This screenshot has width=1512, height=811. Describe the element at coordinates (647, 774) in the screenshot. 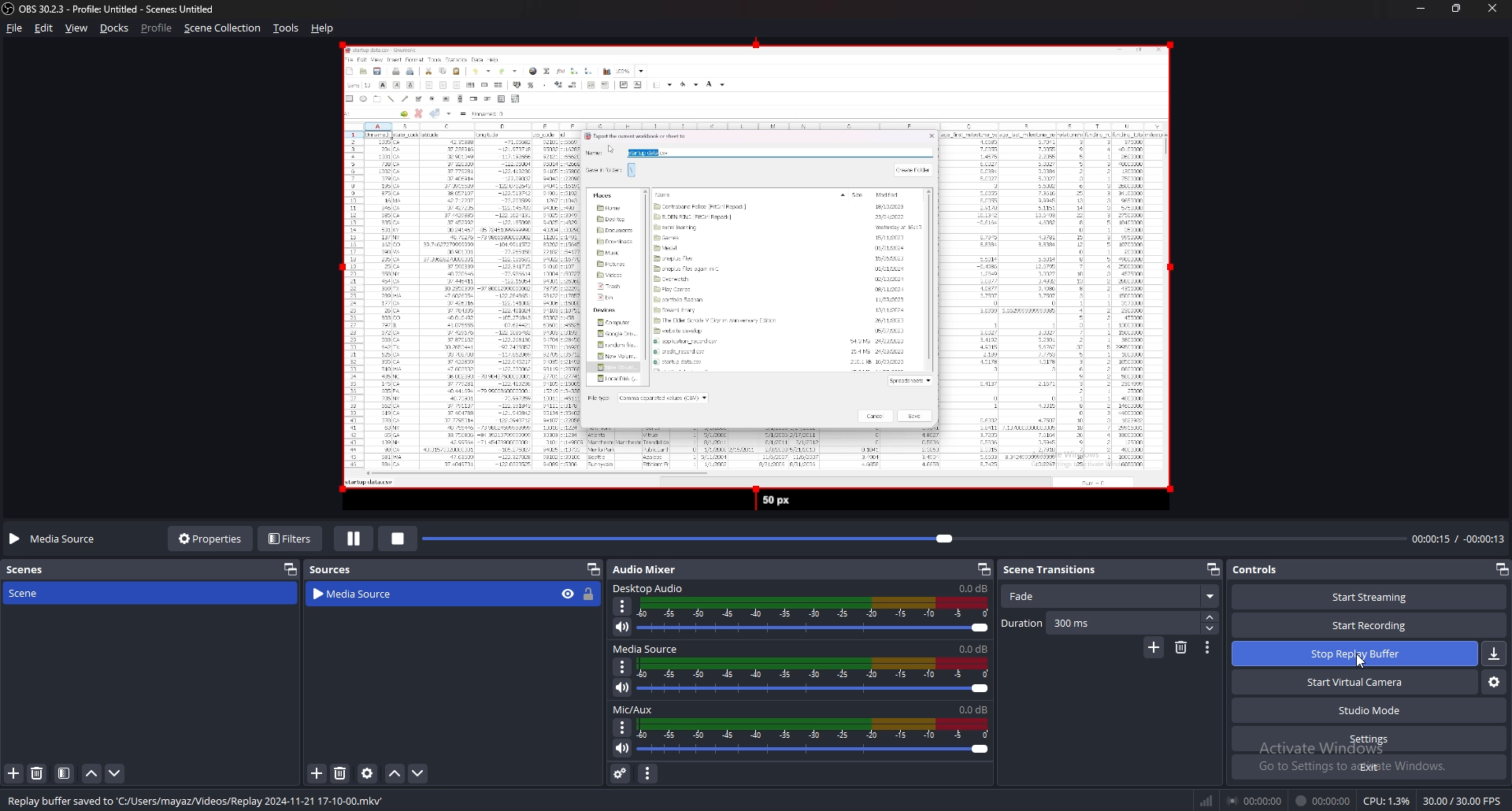

I see `audio mixer menu` at that location.